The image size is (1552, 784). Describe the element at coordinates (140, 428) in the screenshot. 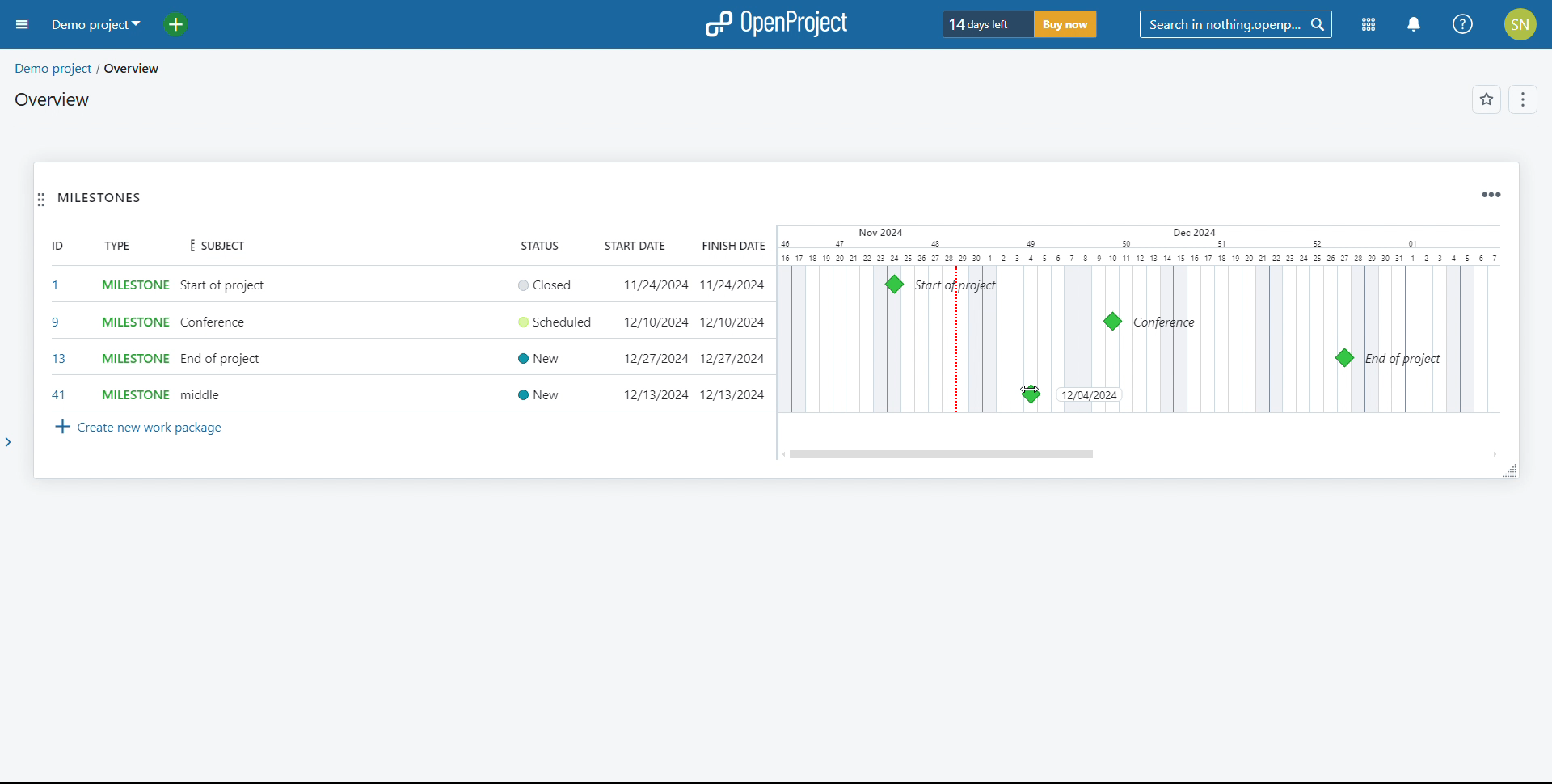

I see `create new work package` at that location.